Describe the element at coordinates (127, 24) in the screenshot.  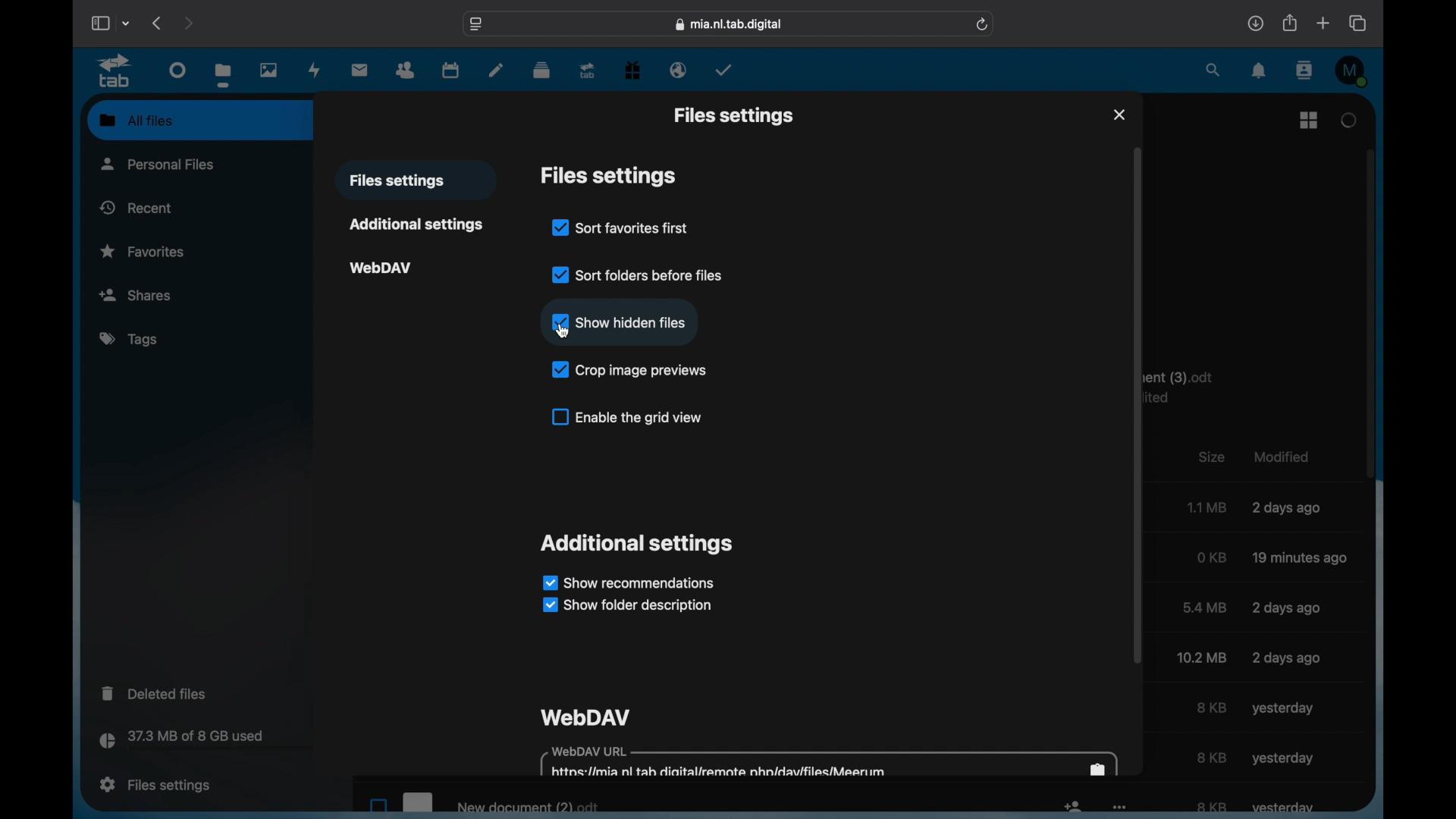
I see `tab group picker` at that location.